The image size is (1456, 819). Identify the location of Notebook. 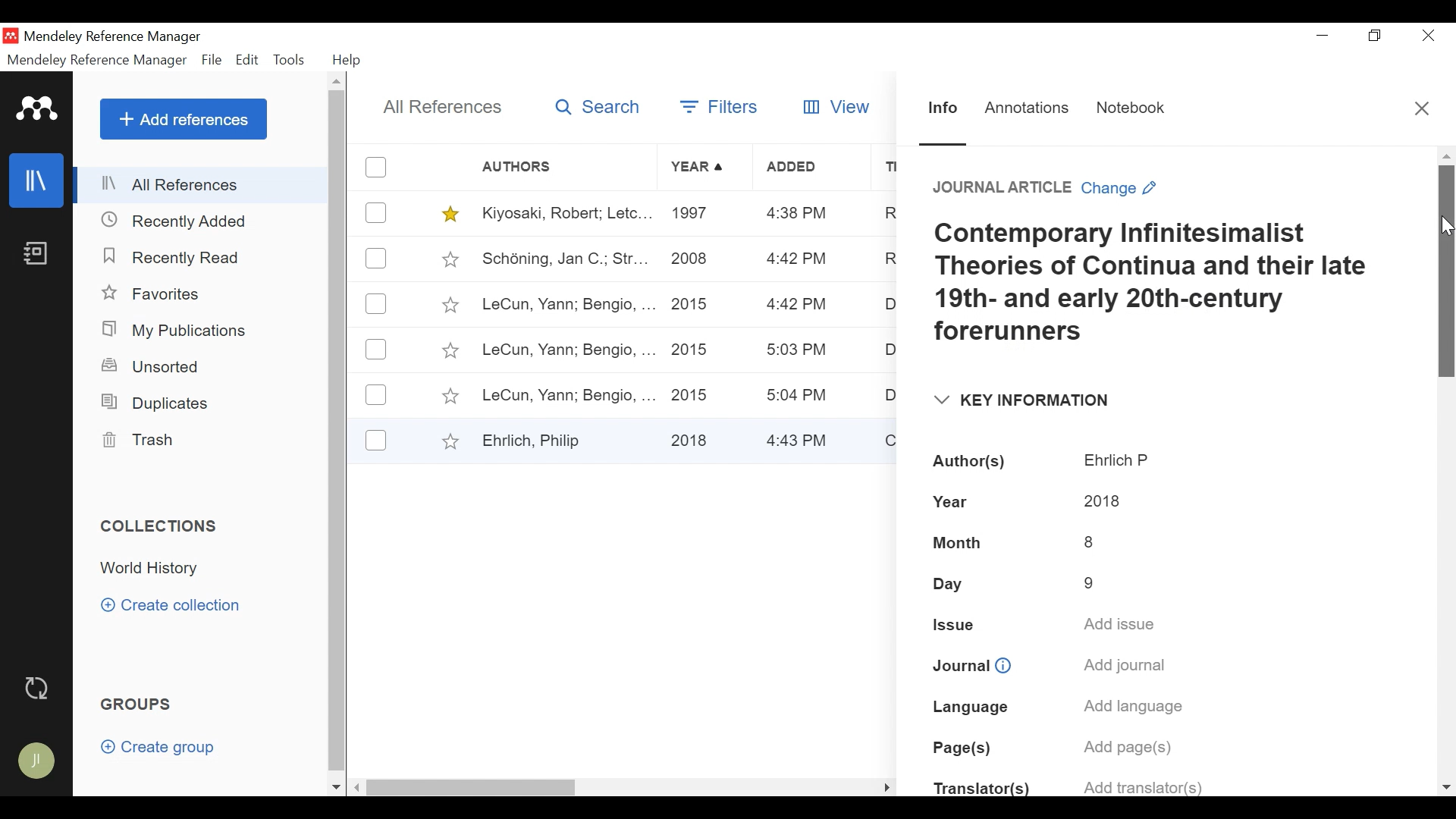
(34, 257).